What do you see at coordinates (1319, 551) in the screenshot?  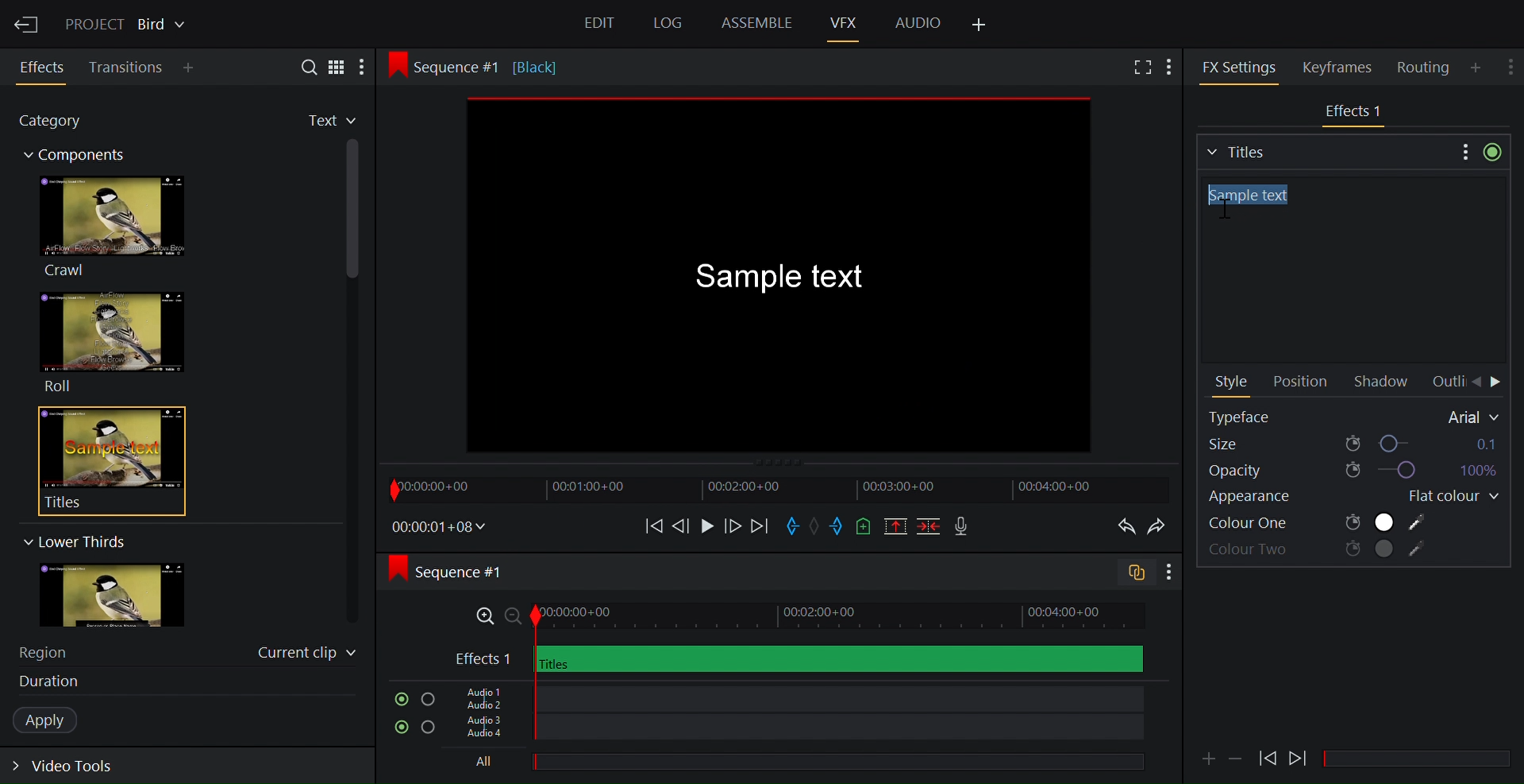 I see `Color two` at bounding box center [1319, 551].